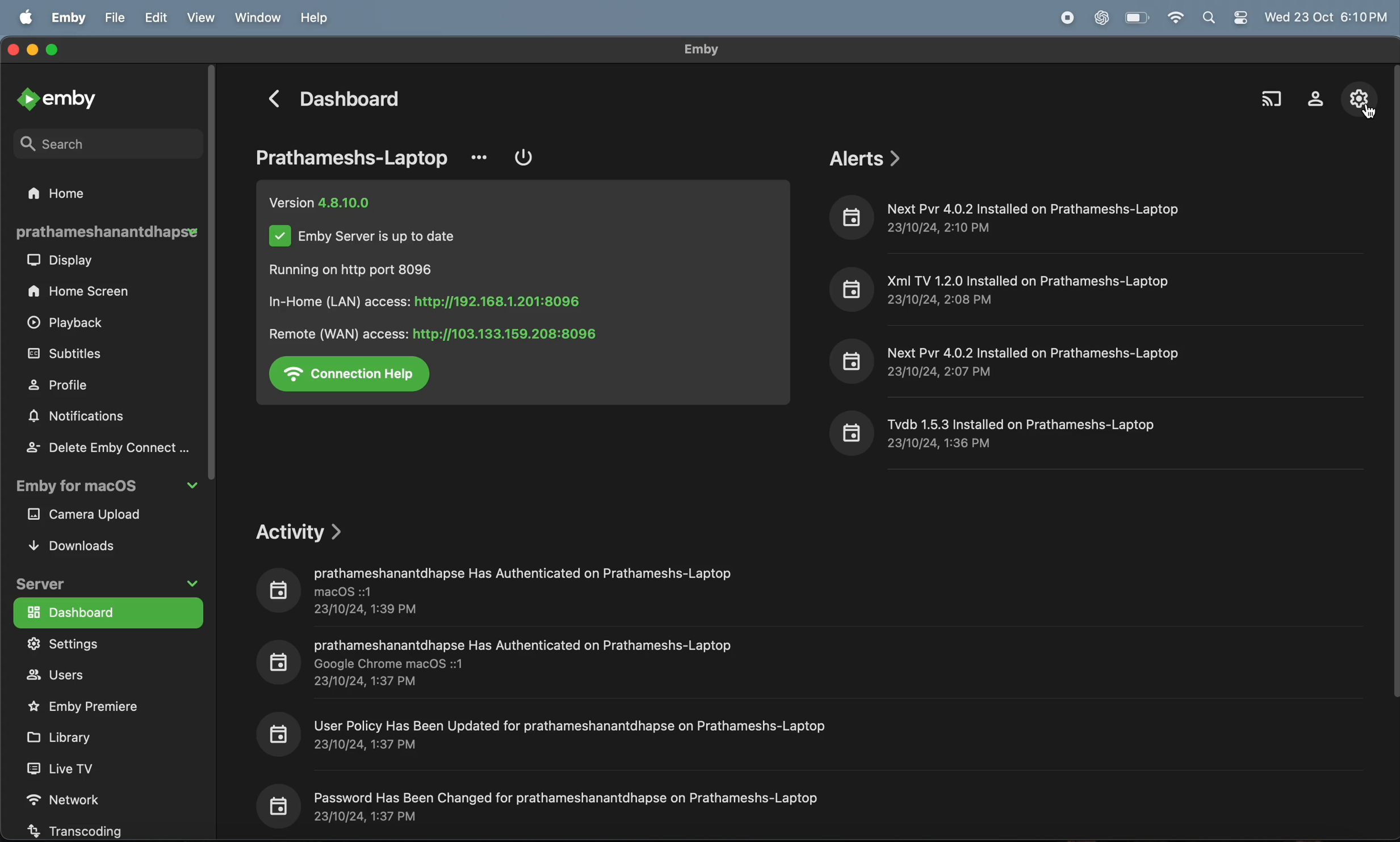  Describe the element at coordinates (425, 302) in the screenshot. I see `In-Home (LAN) access: http://192.168.1.201:8096` at that location.